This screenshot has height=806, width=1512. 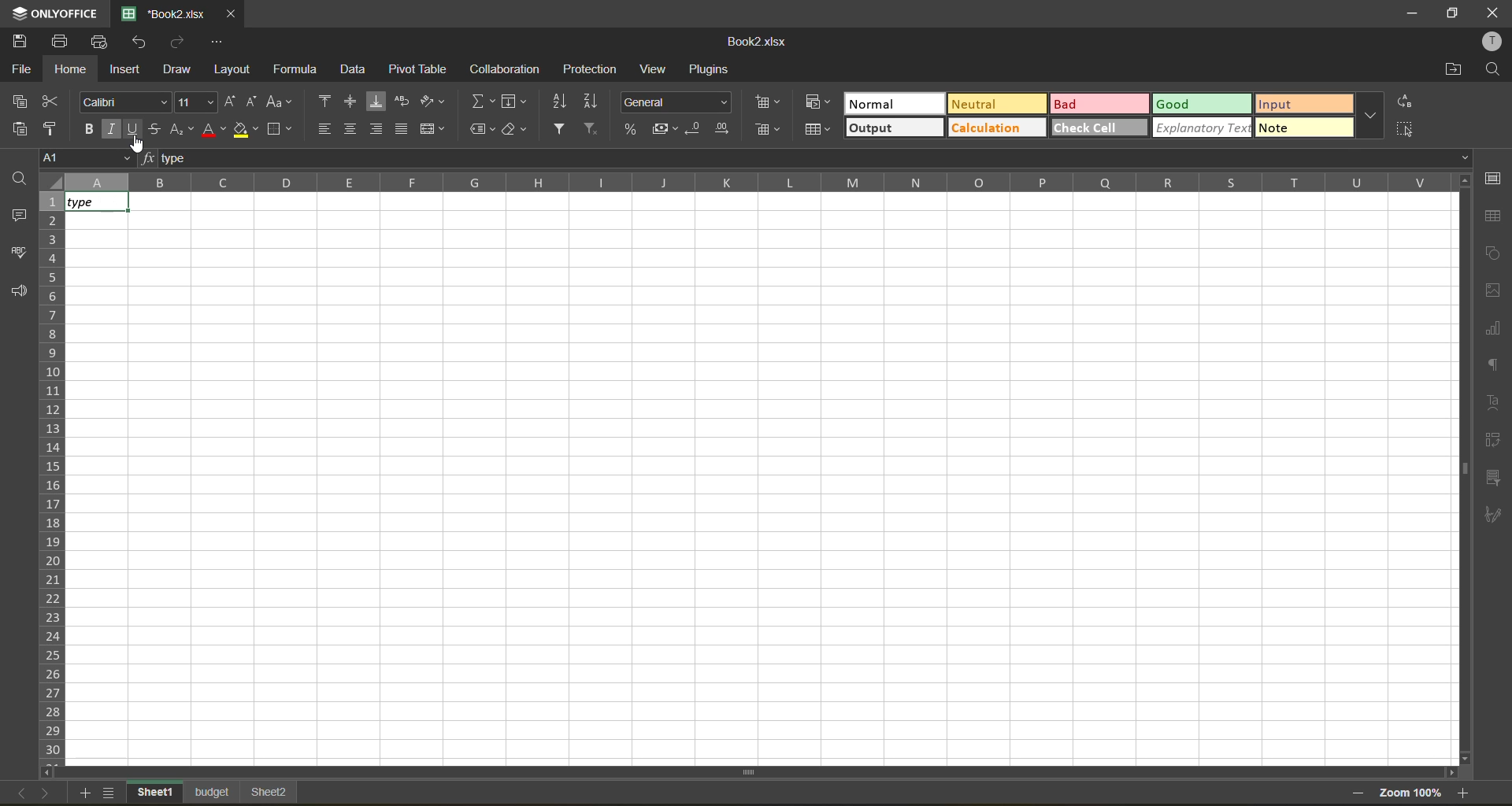 What do you see at coordinates (18, 213) in the screenshot?
I see `comments` at bounding box center [18, 213].